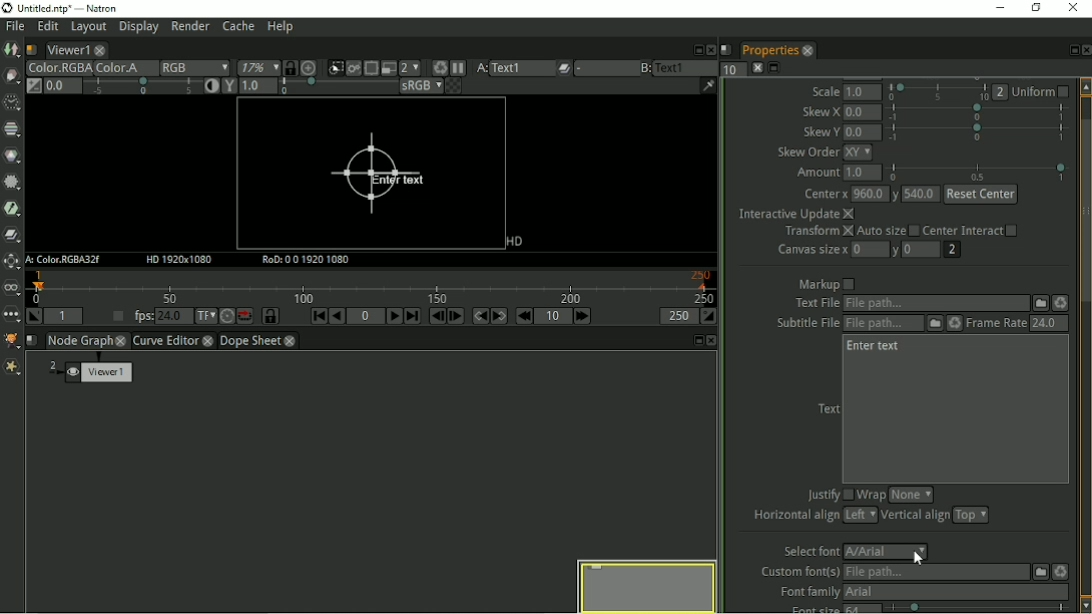 This screenshot has width=1092, height=614. What do you see at coordinates (807, 50) in the screenshot?
I see `close` at bounding box center [807, 50].